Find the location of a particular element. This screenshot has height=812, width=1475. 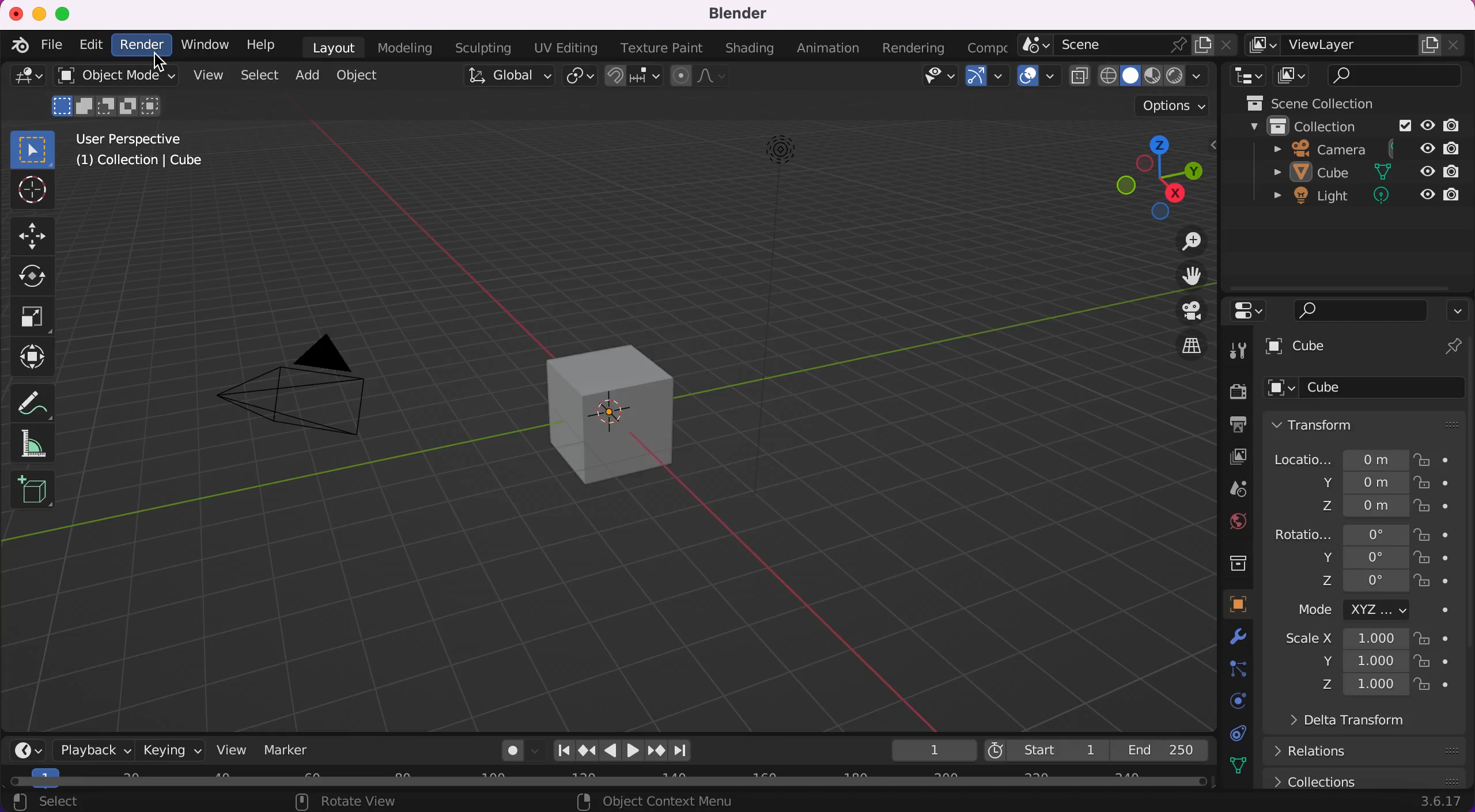

marker is located at coordinates (298, 750).